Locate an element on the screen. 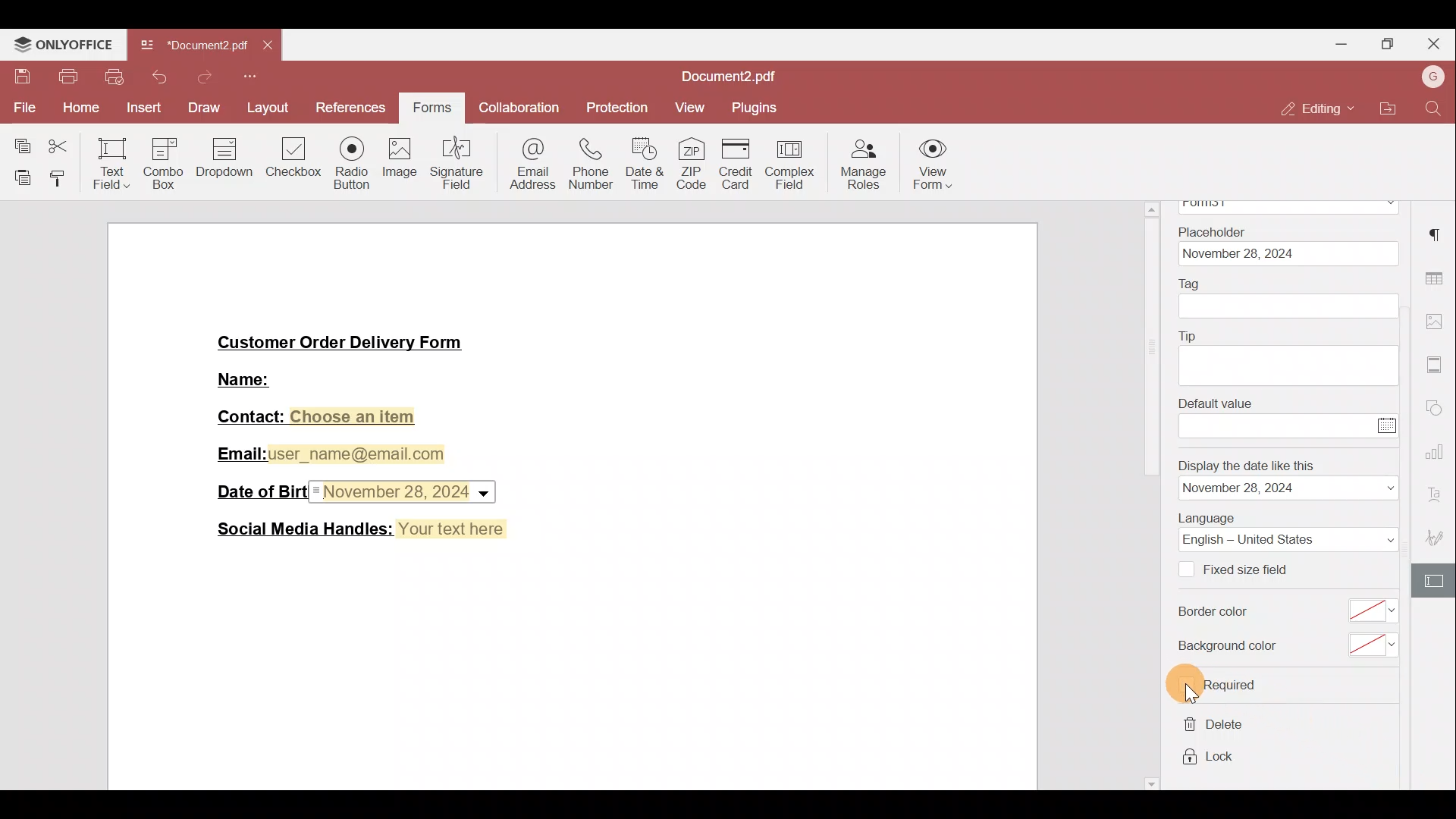  Fixed size field is located at coordinates (1259, 570).